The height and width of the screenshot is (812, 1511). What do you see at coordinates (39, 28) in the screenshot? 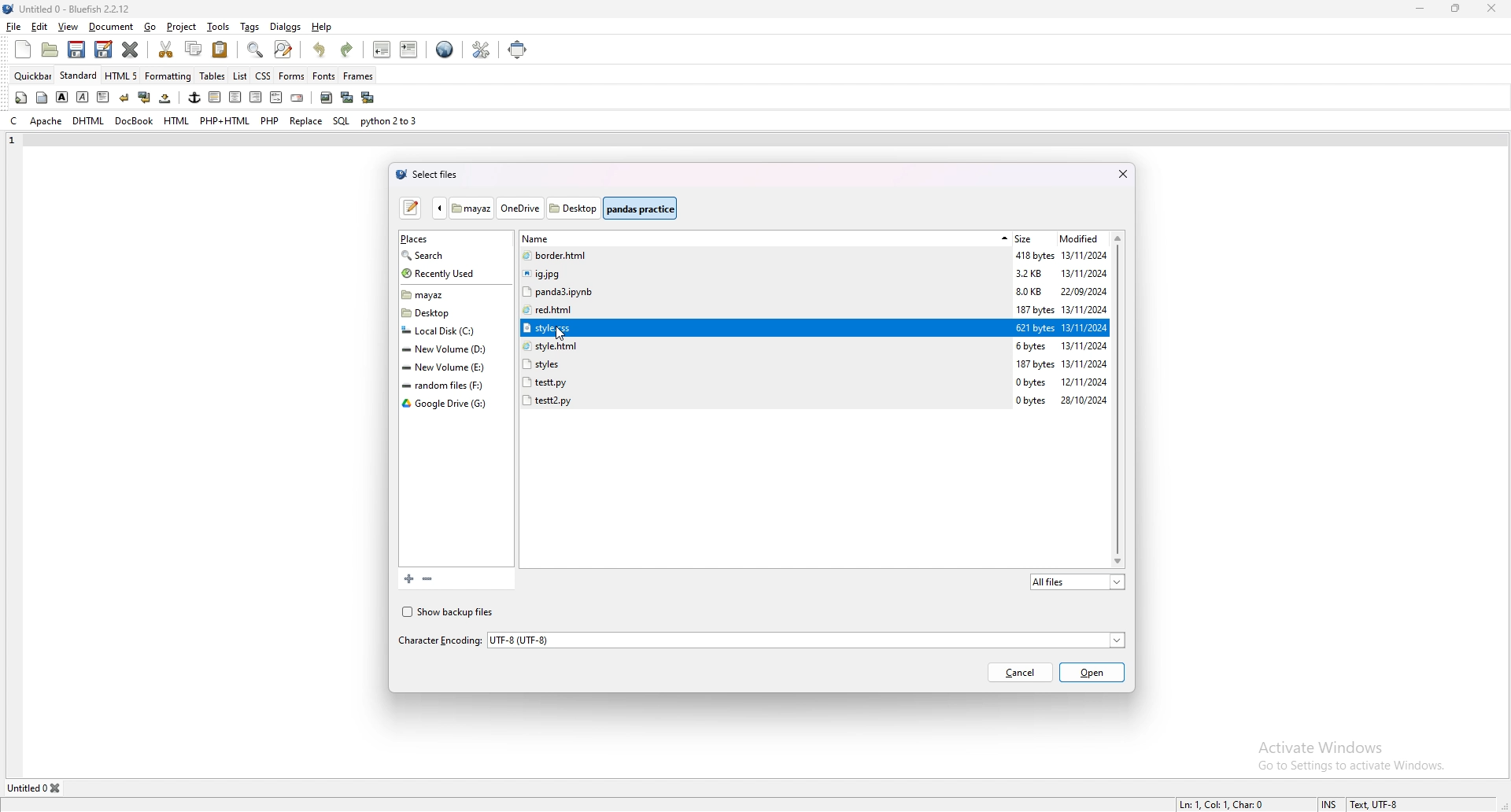
I see `edit` at bounding box center [39, 28].